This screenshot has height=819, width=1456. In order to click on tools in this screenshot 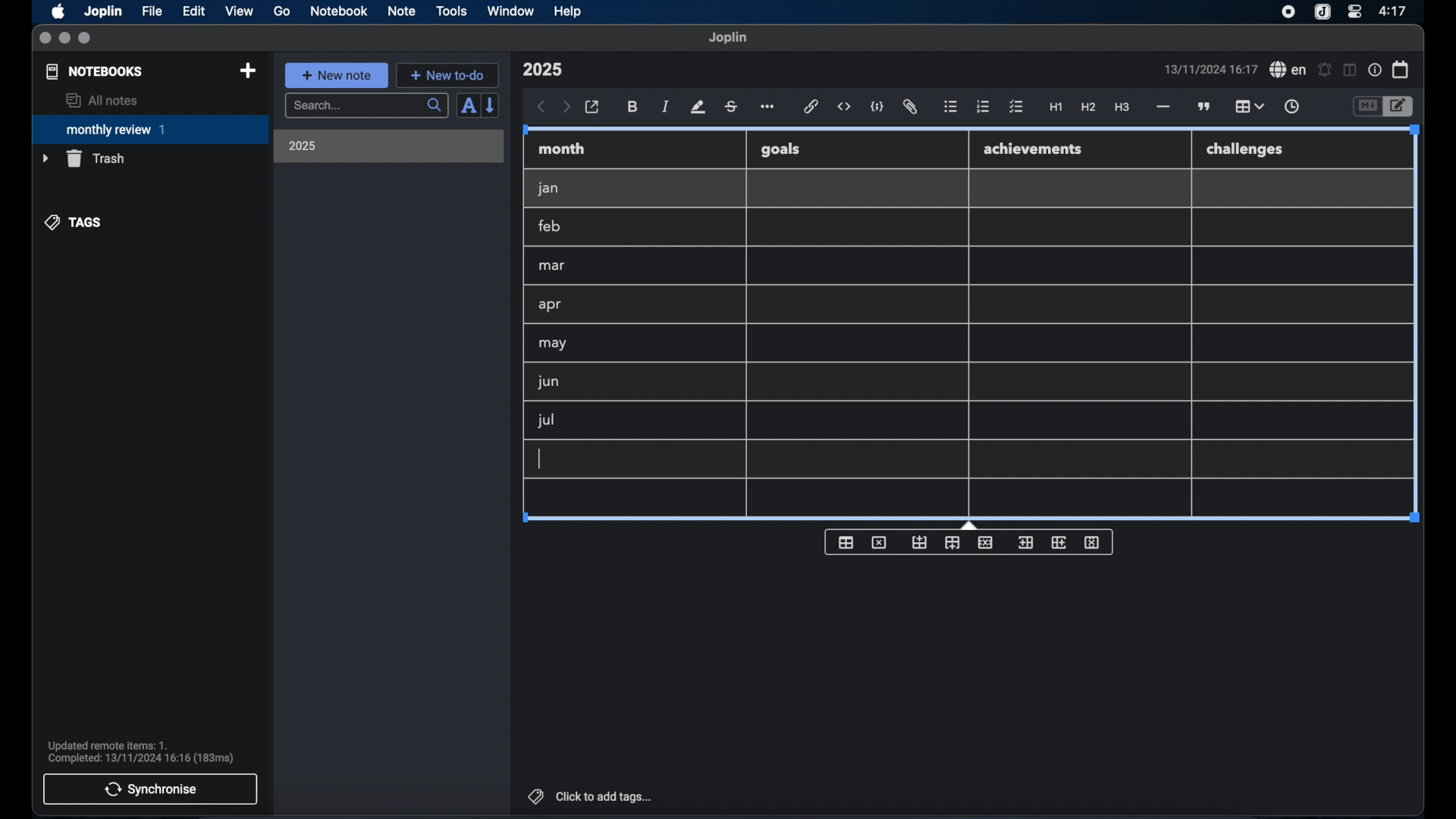, I will do `click(451, 11)`.